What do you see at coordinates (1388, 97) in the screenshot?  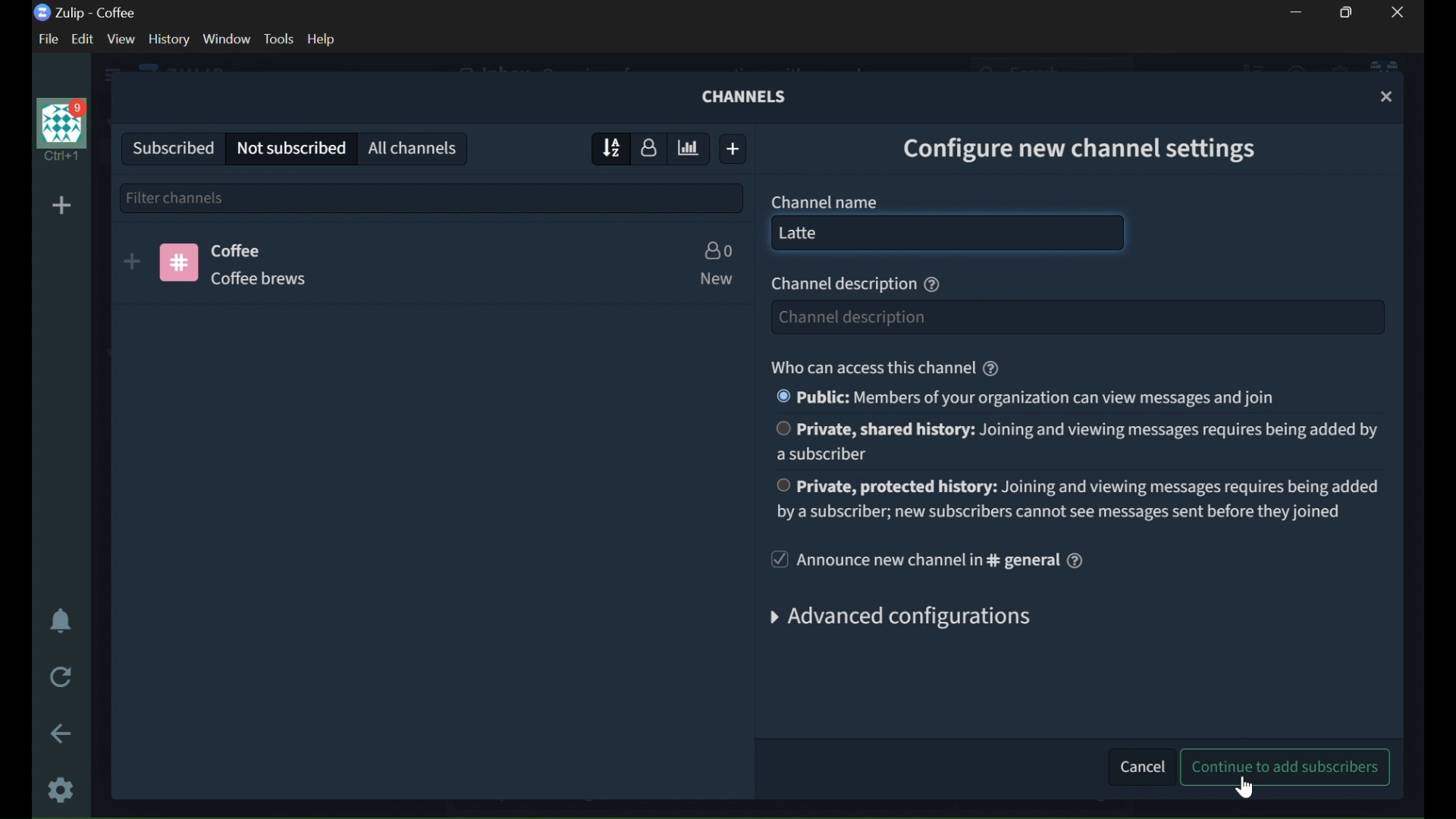 I see `CLOSE` at bounding box center [1388, 97].